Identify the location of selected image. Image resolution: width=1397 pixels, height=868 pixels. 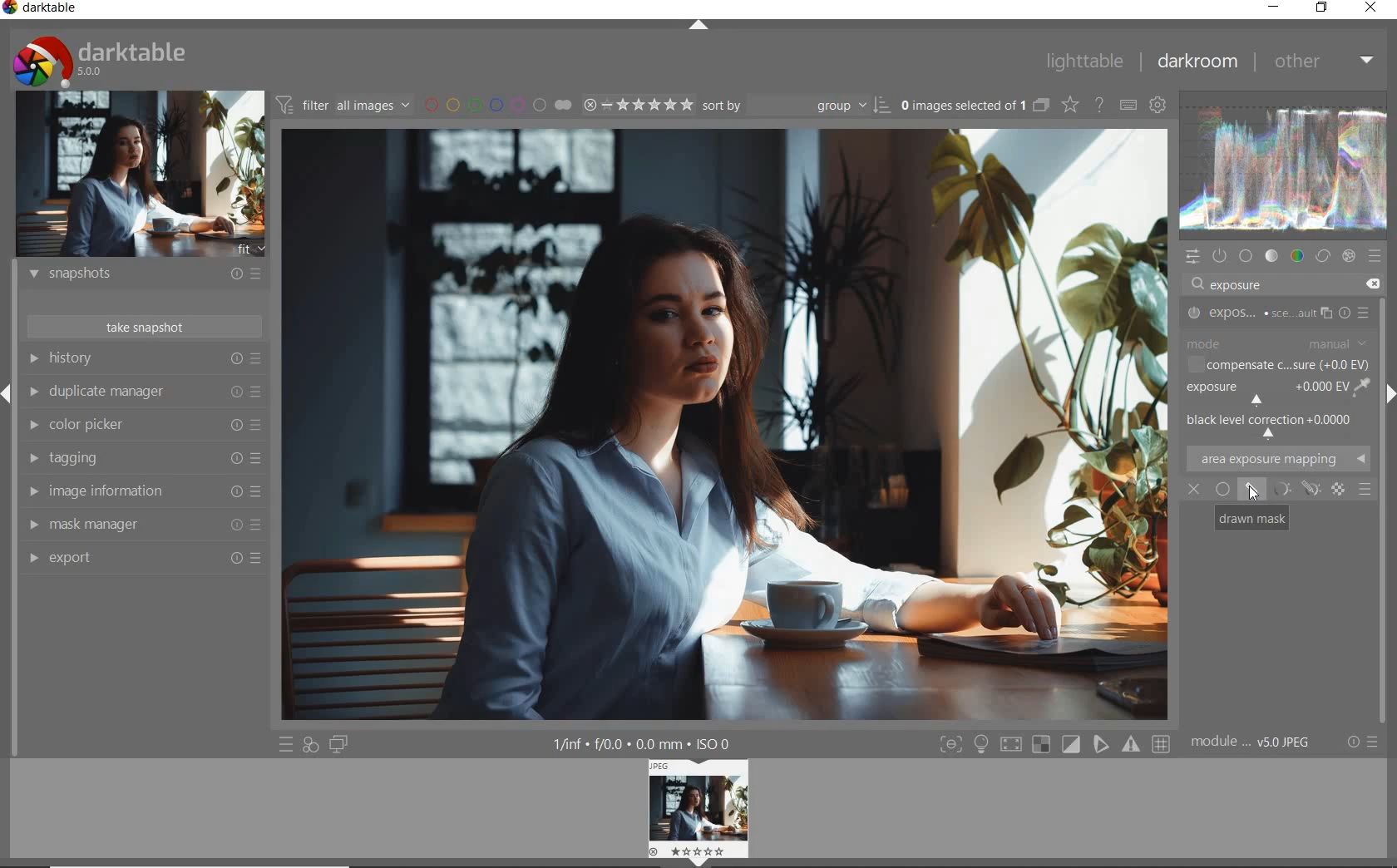
(725, 421).